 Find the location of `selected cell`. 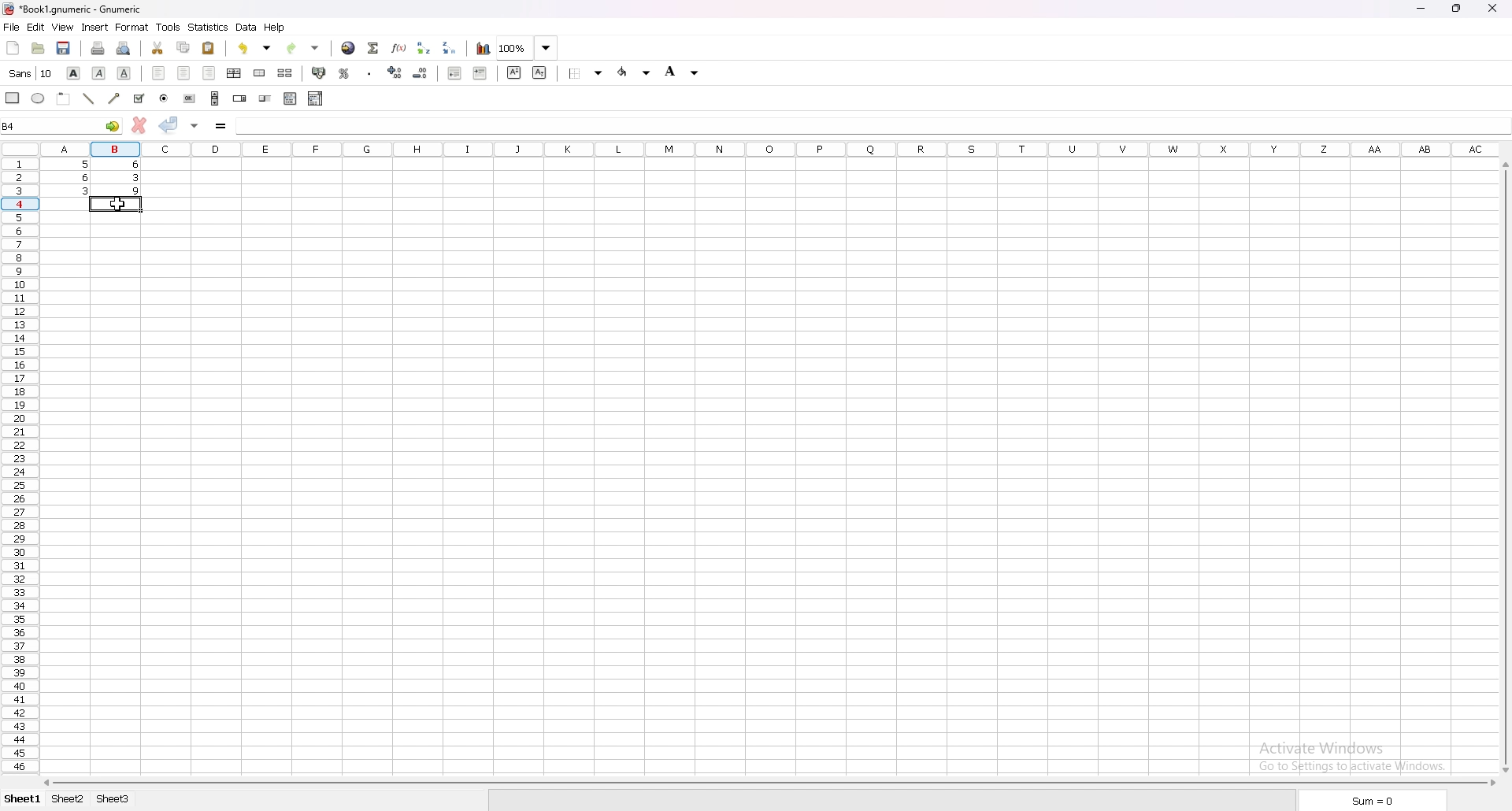

selected cell is located at coordinates (62, 125).